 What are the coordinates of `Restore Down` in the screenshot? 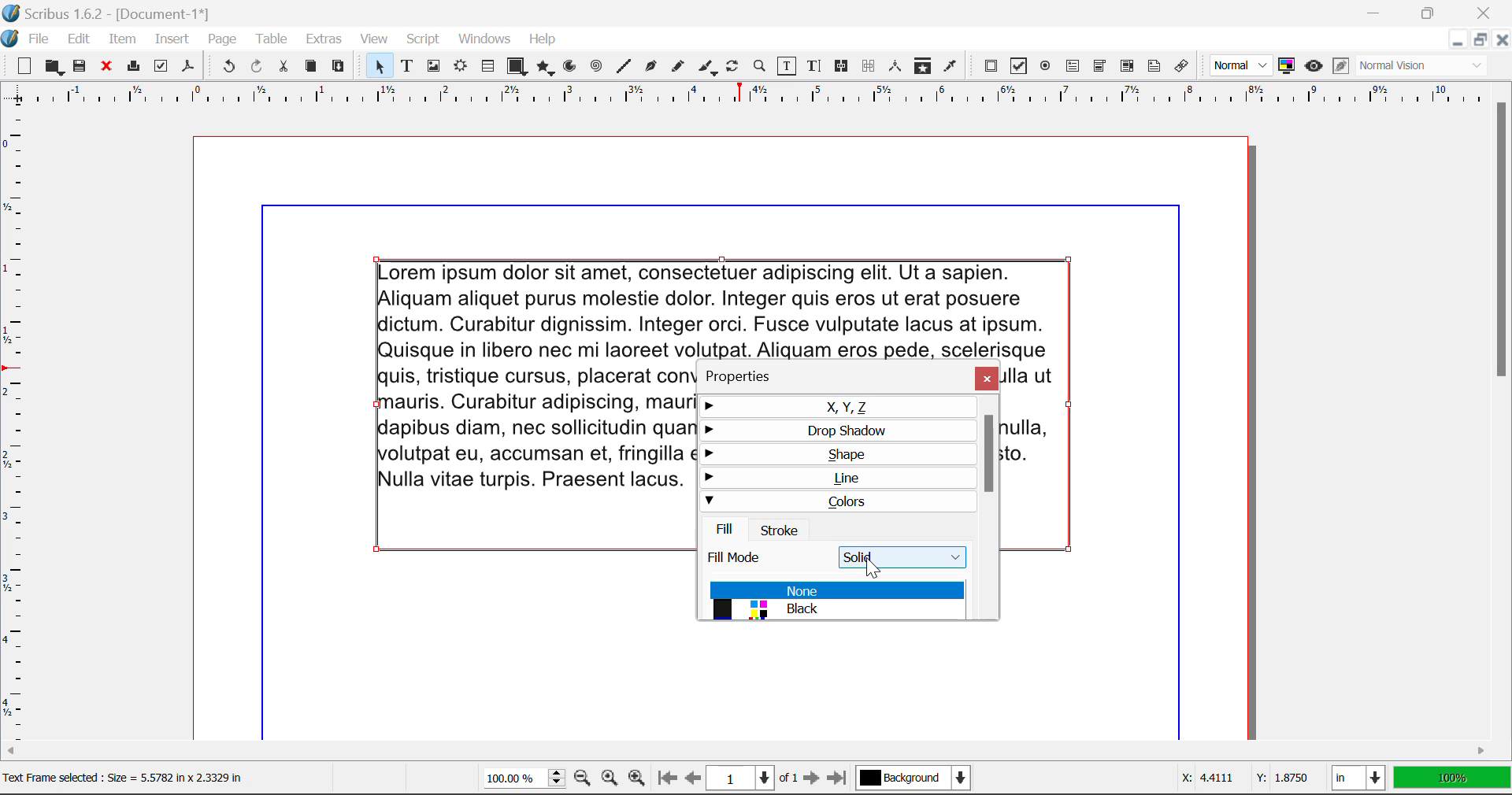 It's located at (1376, 11).